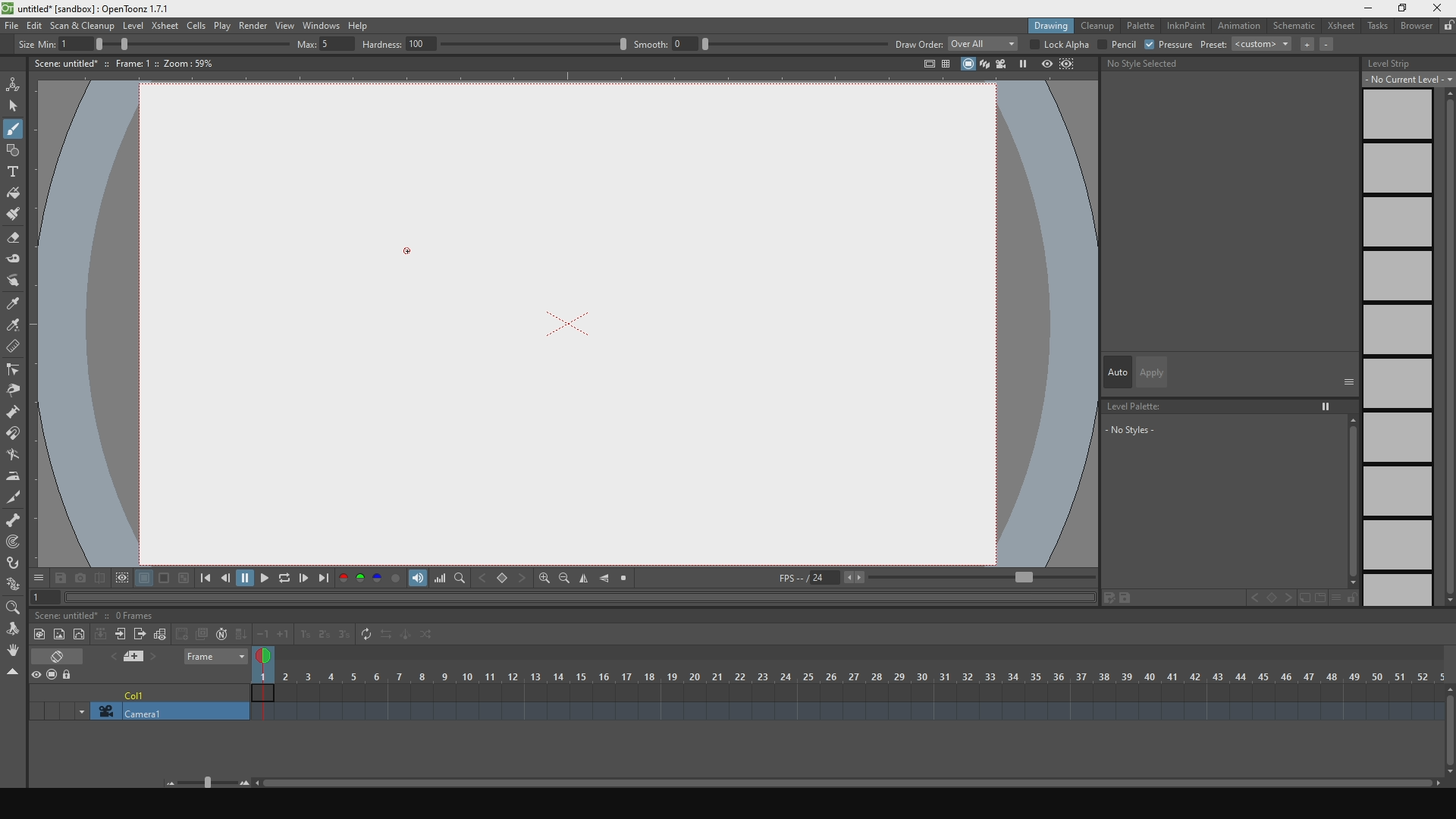  What do you see at coordinates (916, 44) in the screenshot?
I see `draw order` at bounding box center [916, 44].